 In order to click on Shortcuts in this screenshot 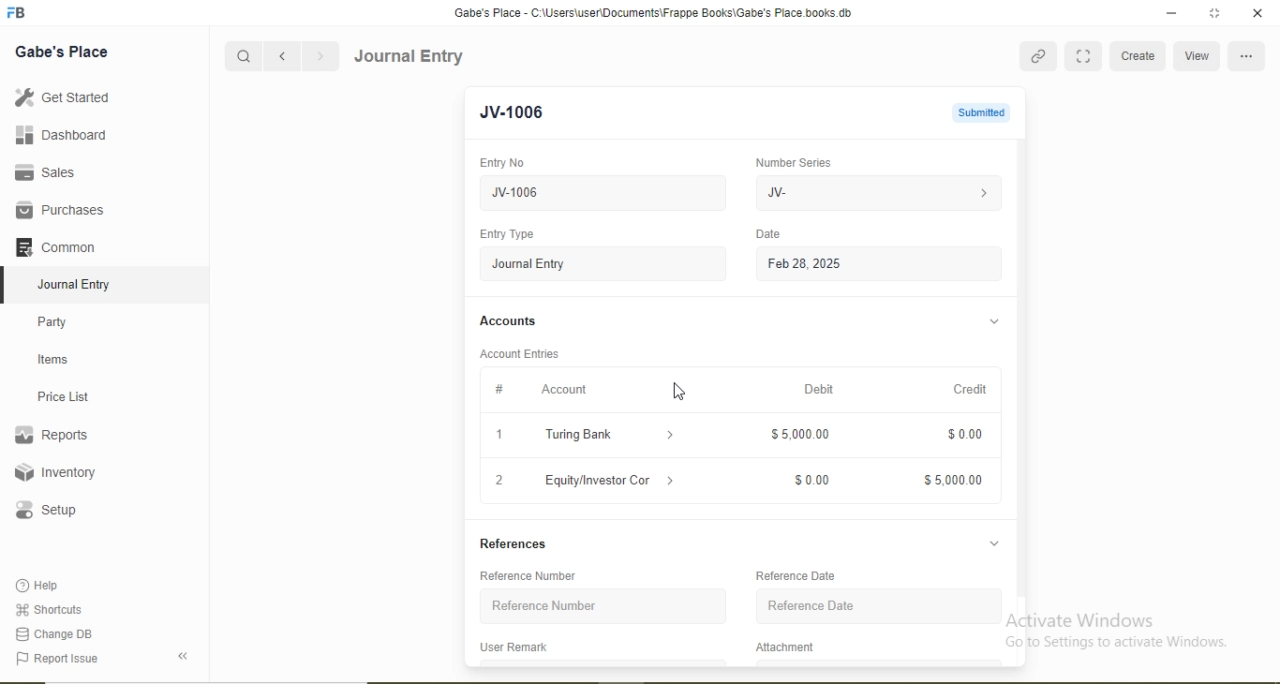, I will do `click(47, 609)`.